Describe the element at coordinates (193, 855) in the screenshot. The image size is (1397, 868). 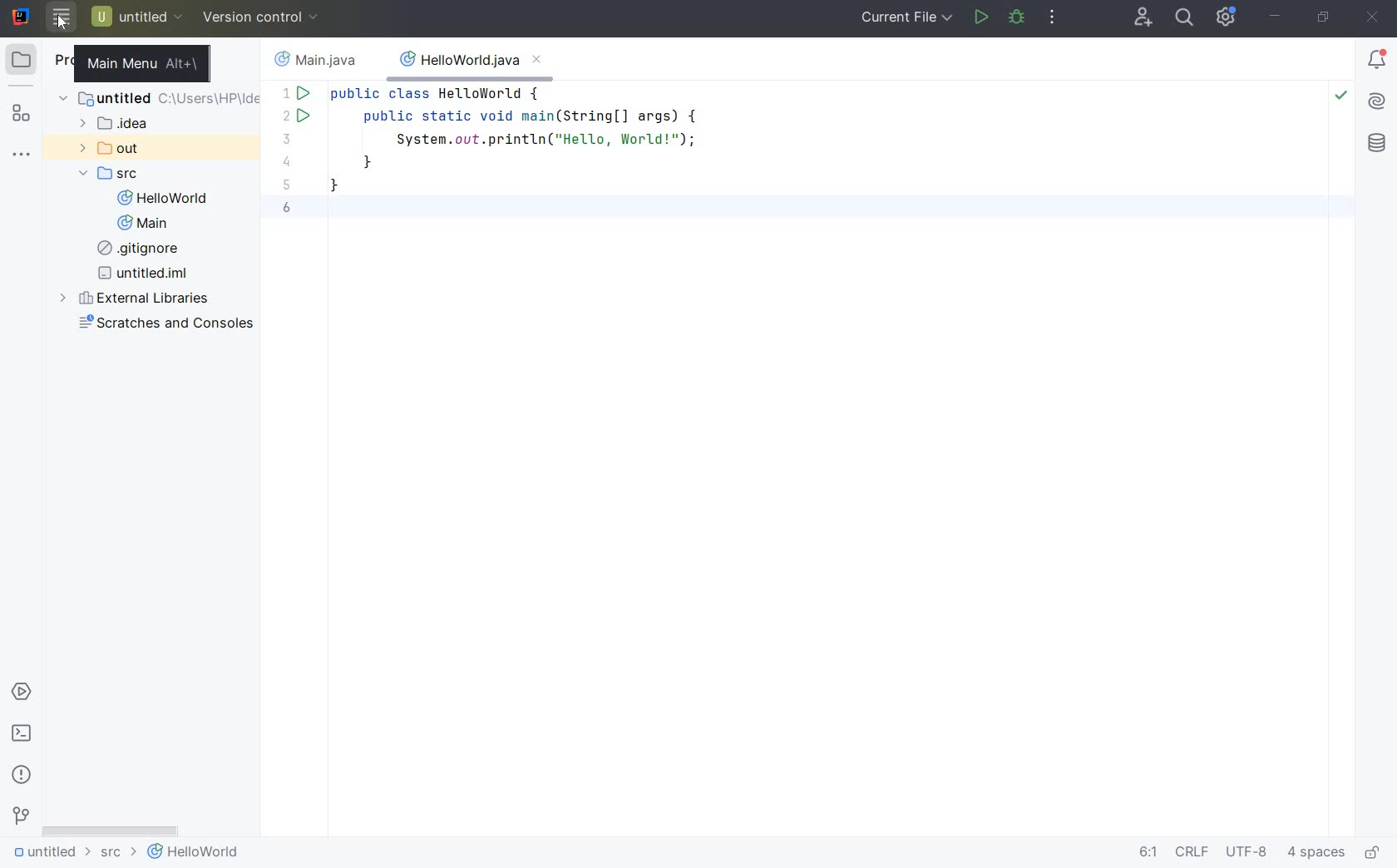
I see `helloworld` at that location.